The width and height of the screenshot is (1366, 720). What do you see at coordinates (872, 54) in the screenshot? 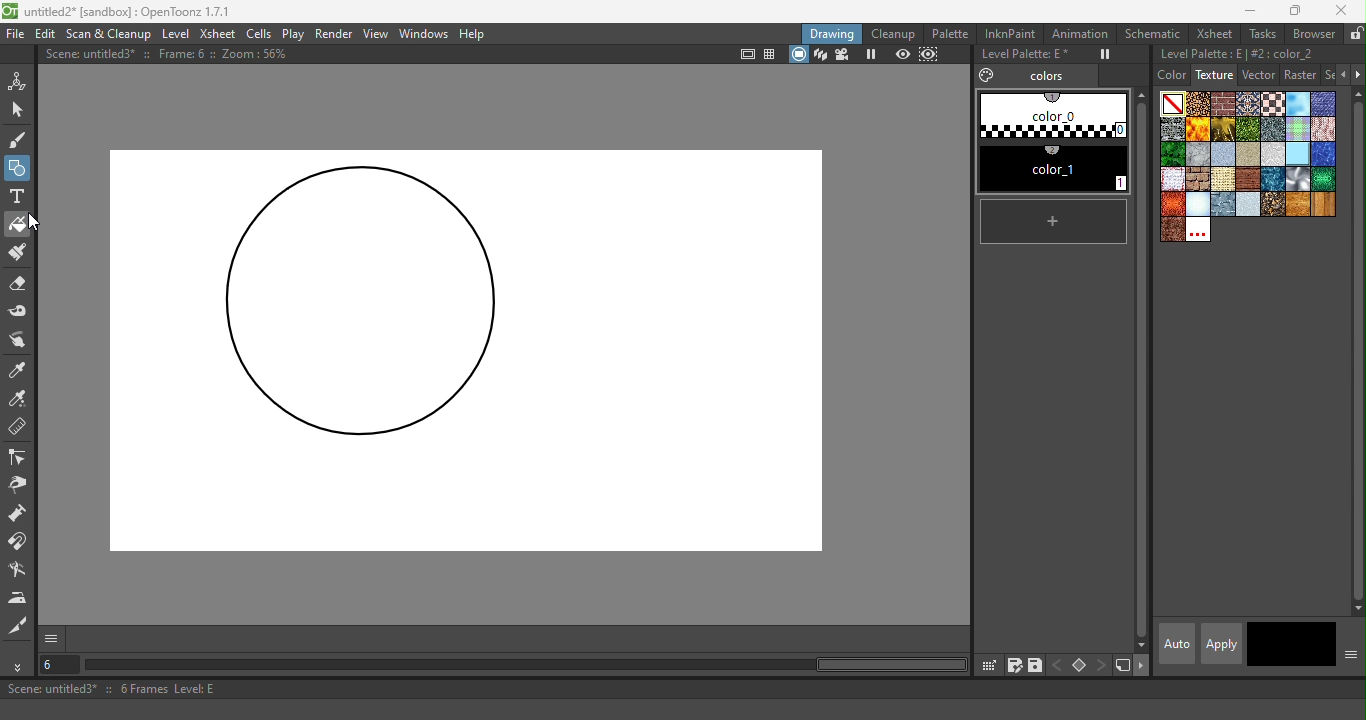
I see `Freeze` at bounding box center [872, 54].